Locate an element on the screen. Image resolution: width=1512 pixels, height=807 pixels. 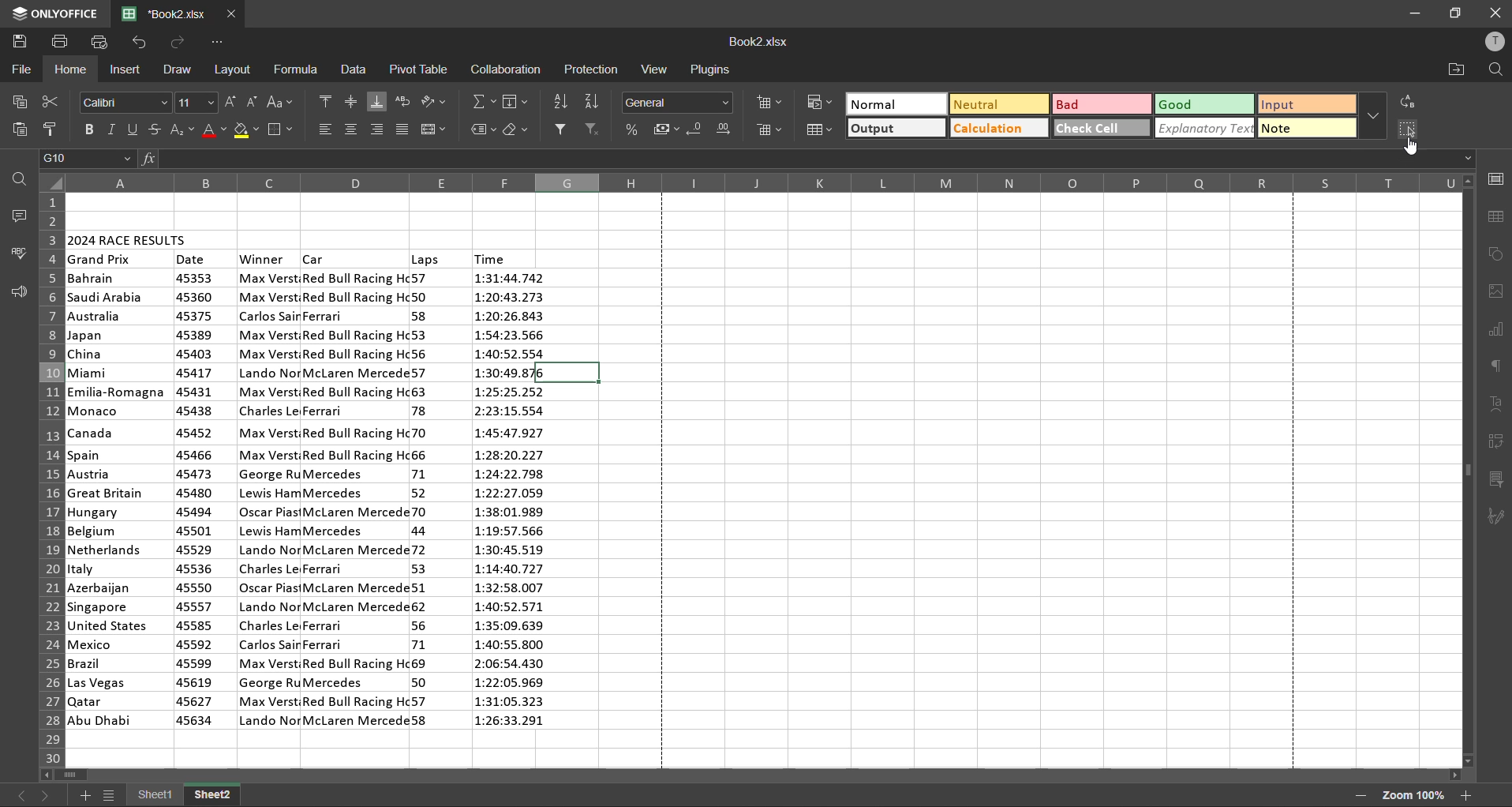
Time is located at coordinates (507, 317).